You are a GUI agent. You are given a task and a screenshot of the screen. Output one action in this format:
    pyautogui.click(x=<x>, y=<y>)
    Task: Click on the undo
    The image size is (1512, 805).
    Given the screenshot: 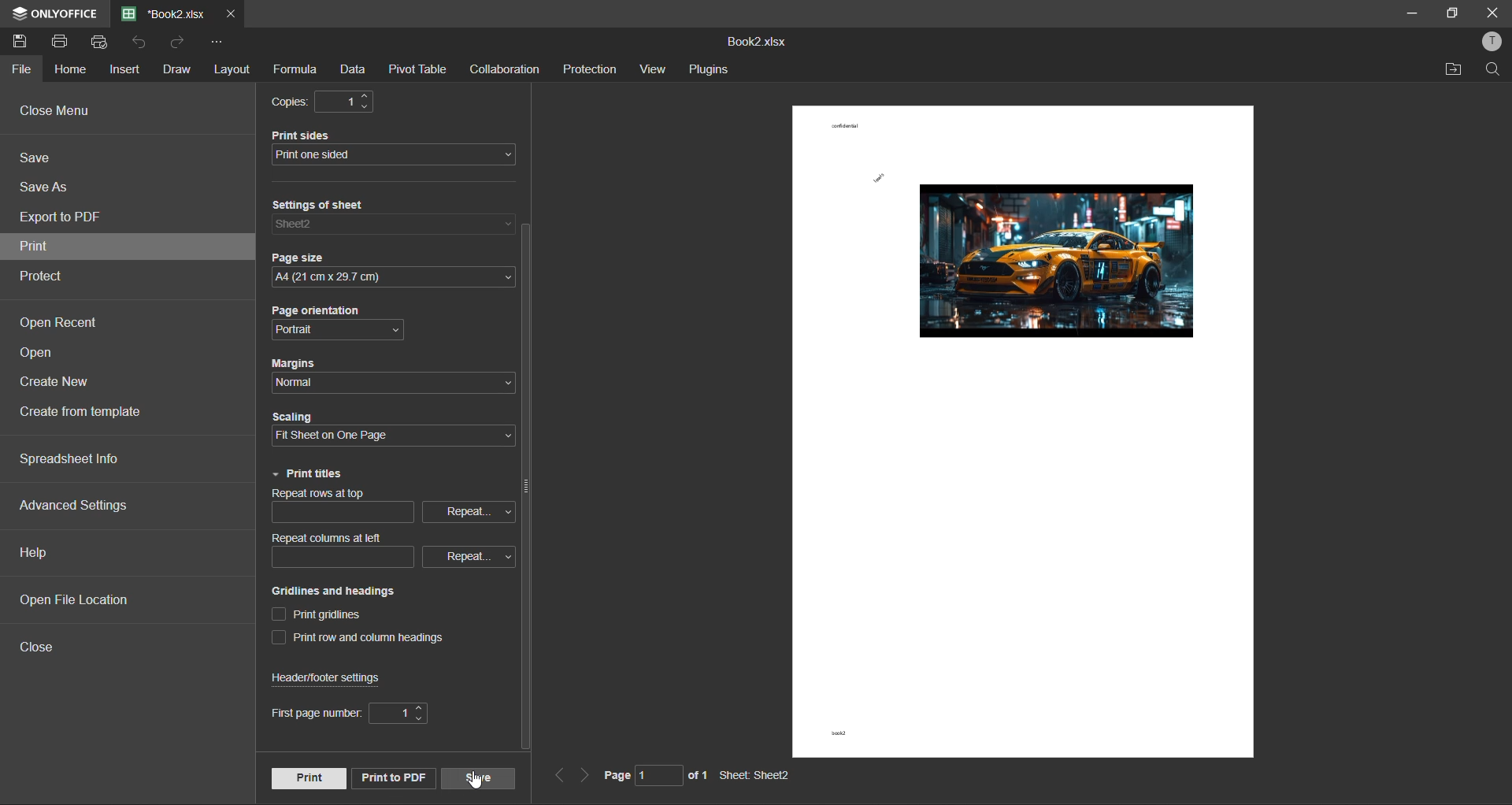 What is the action you would take?
    pyautogui.click(x=143, y=45)
    